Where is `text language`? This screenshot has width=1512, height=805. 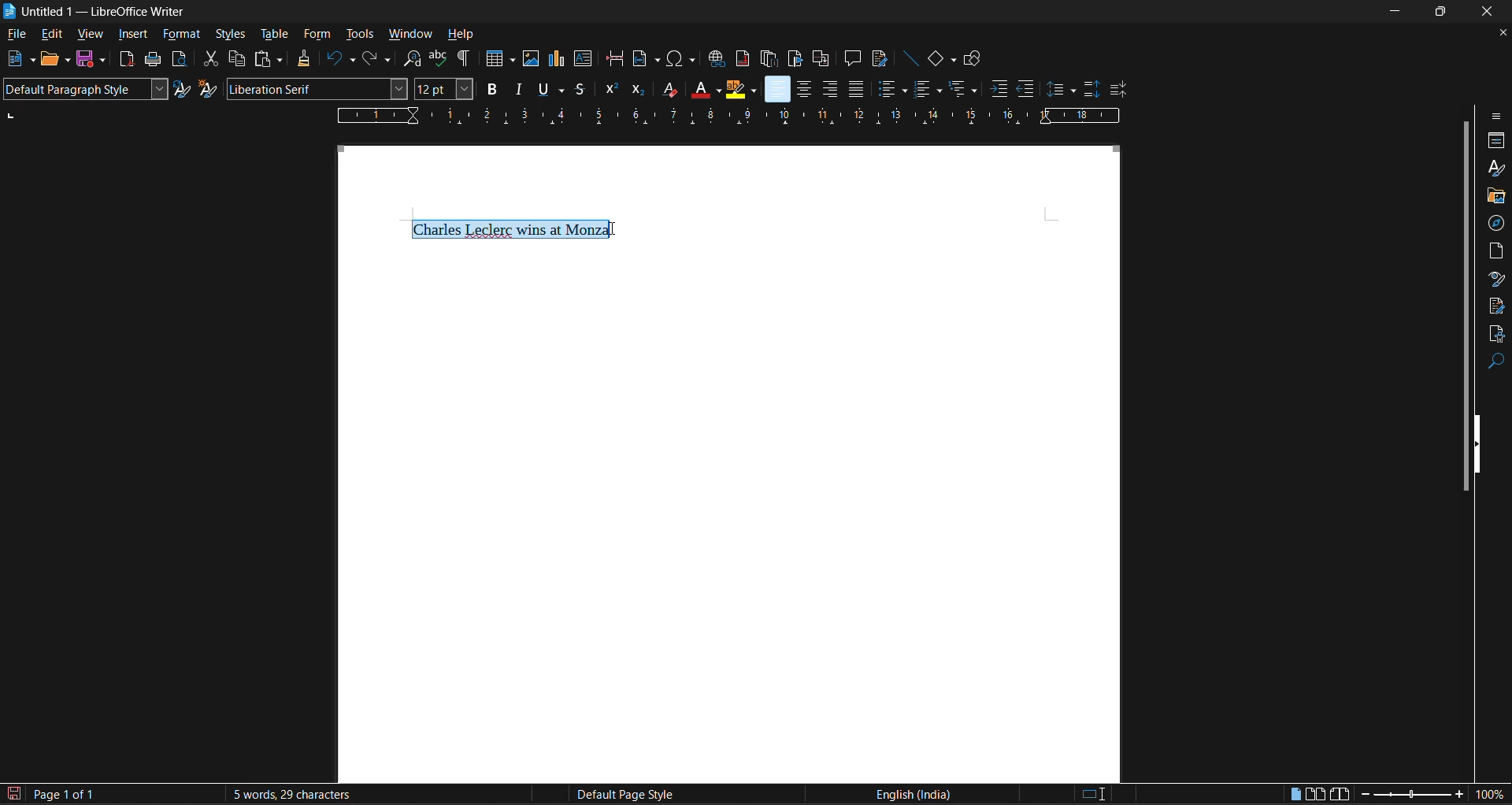 text language is located at coordinates (911, 793).